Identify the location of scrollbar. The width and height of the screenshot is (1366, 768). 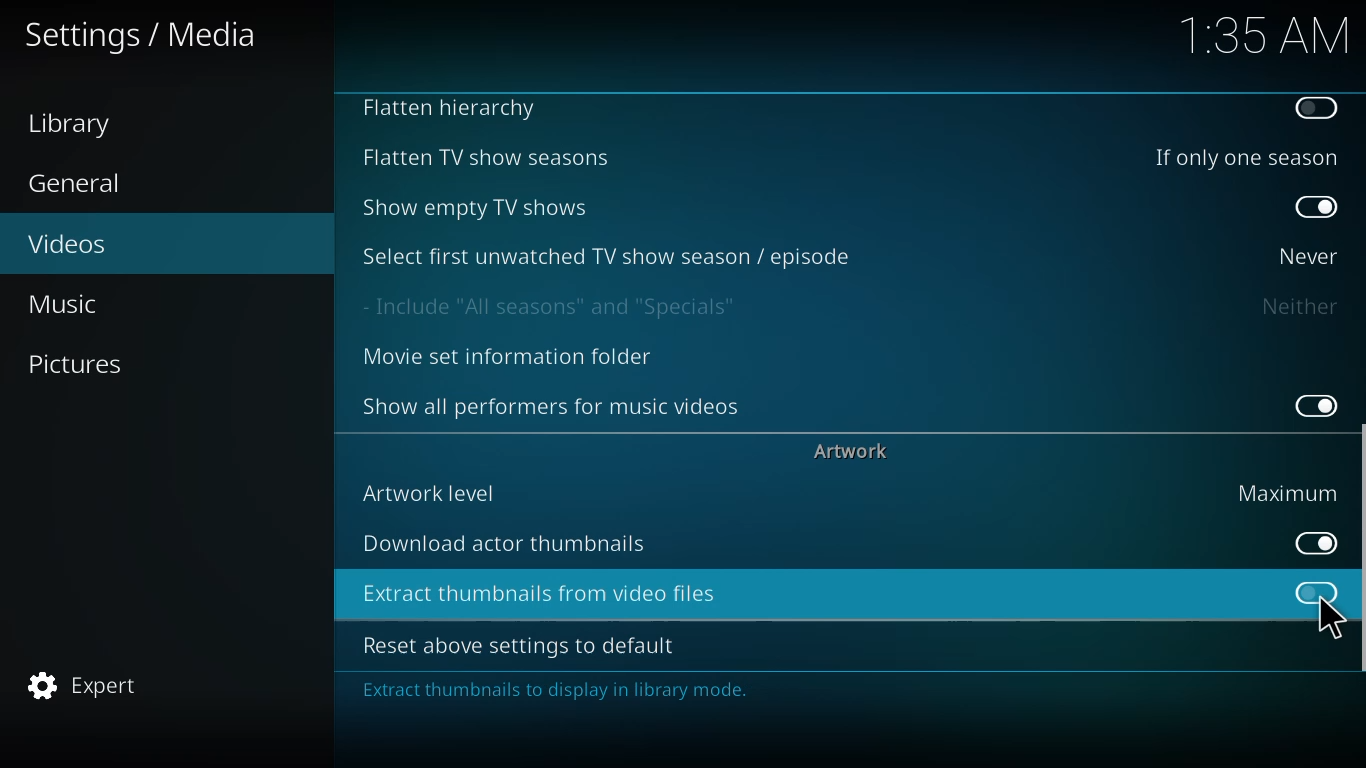
(1357, 560).